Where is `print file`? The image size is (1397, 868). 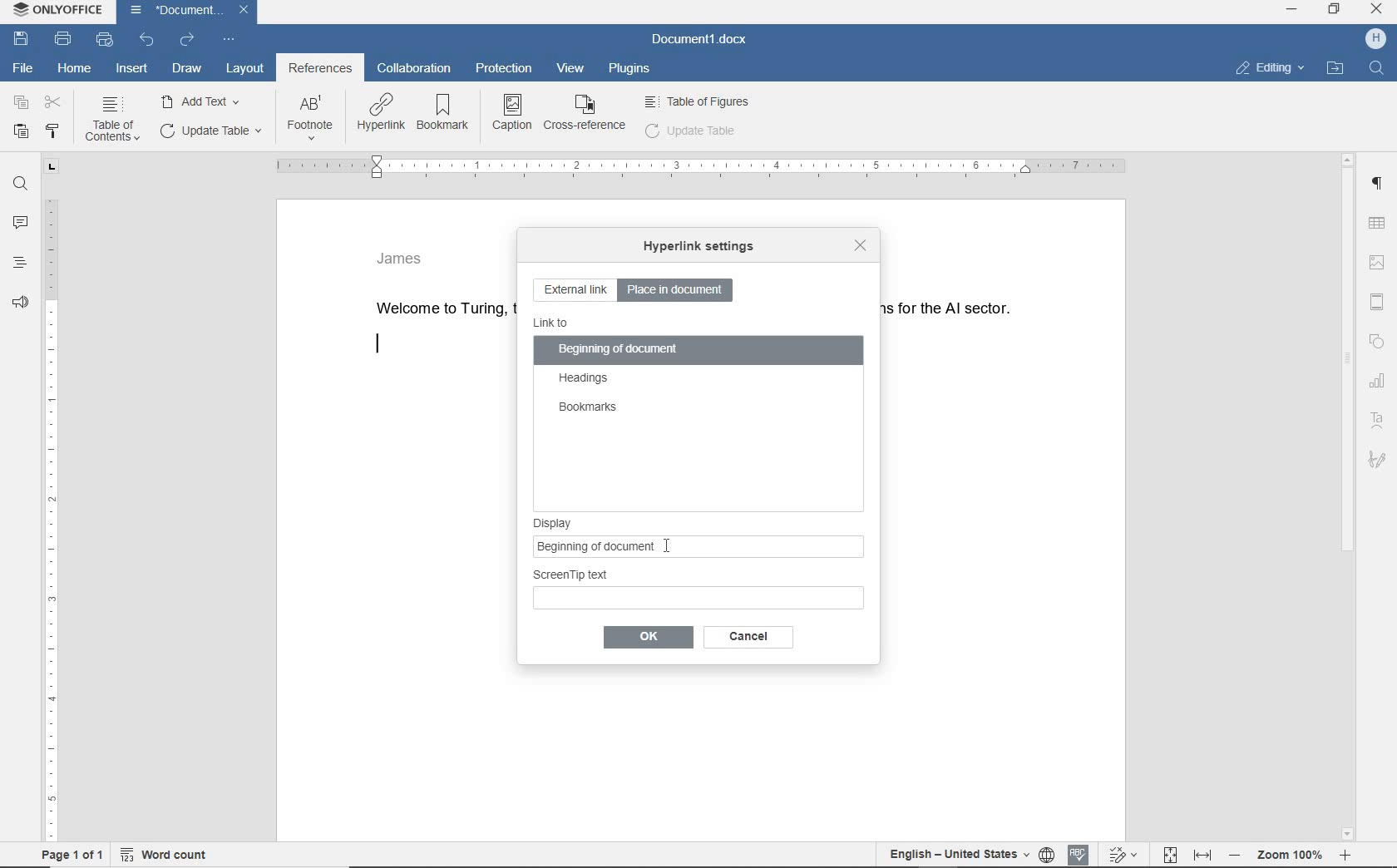 print file is located at coordinates (64, 40).